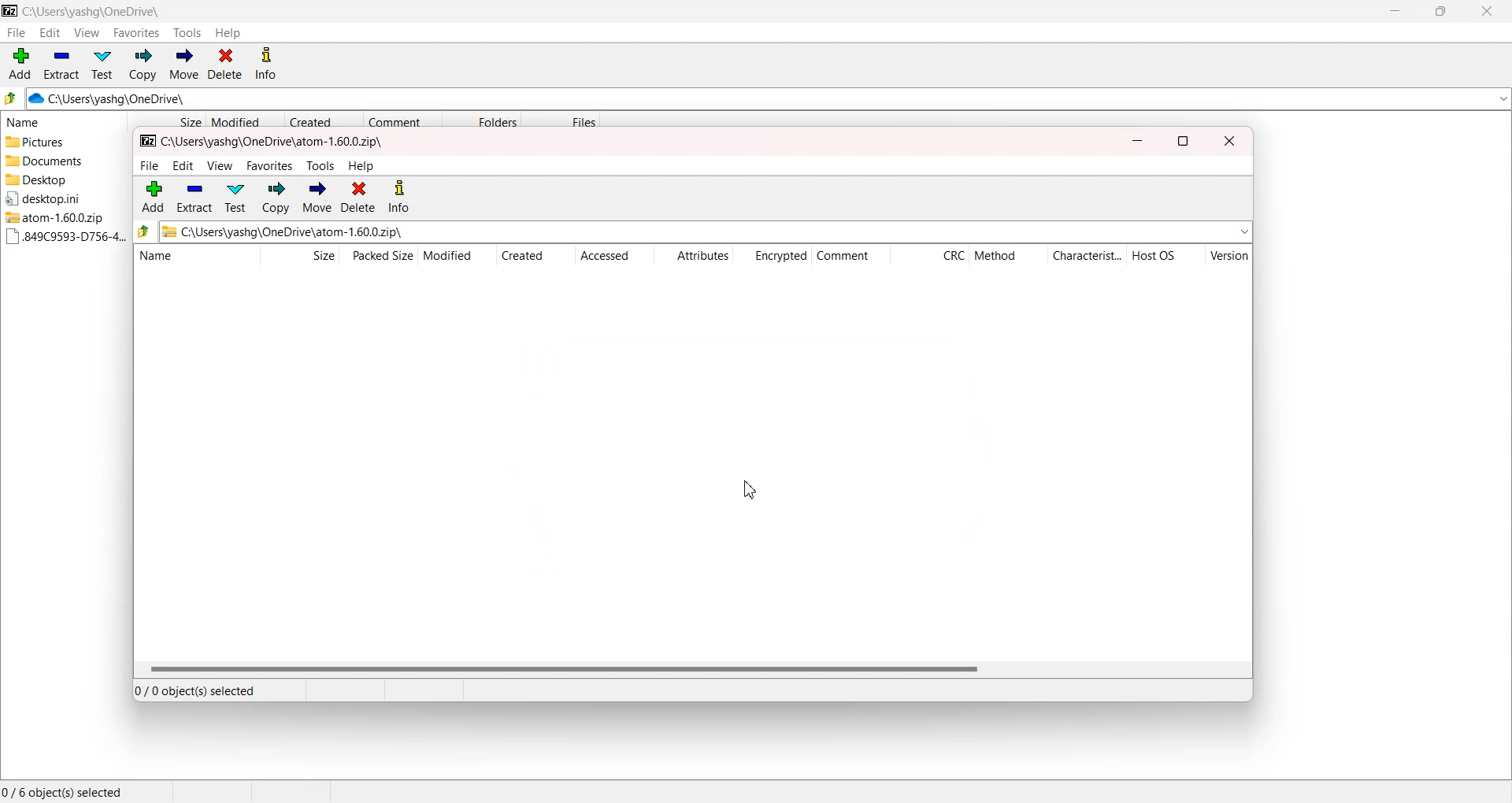  What do you see at coordinates (61, 142) in the screenshot?
I see `Pictures file` at bounding box center [61, 142].